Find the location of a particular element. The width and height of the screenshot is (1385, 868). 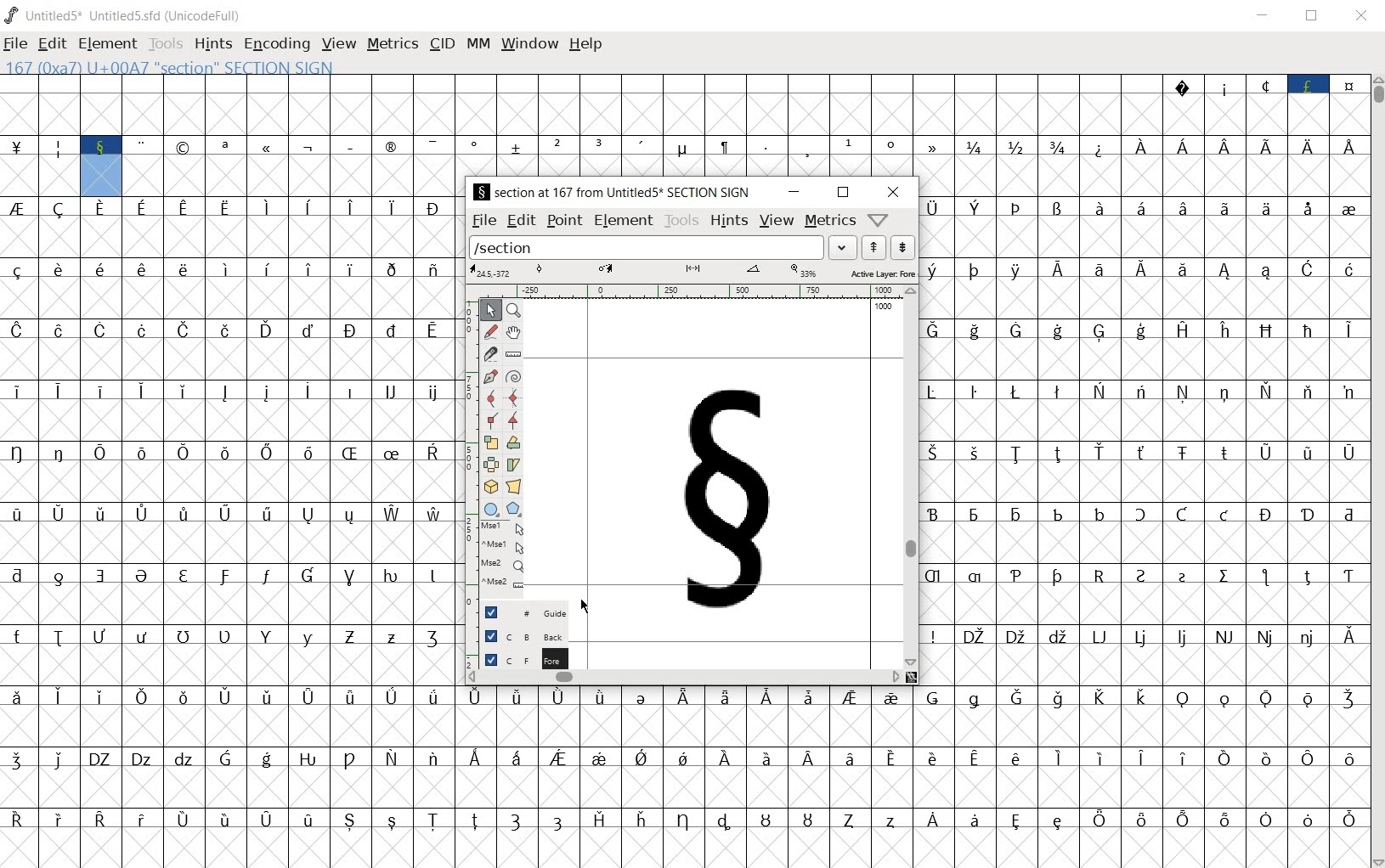

polygon or star is located at coordinates (516, 510).